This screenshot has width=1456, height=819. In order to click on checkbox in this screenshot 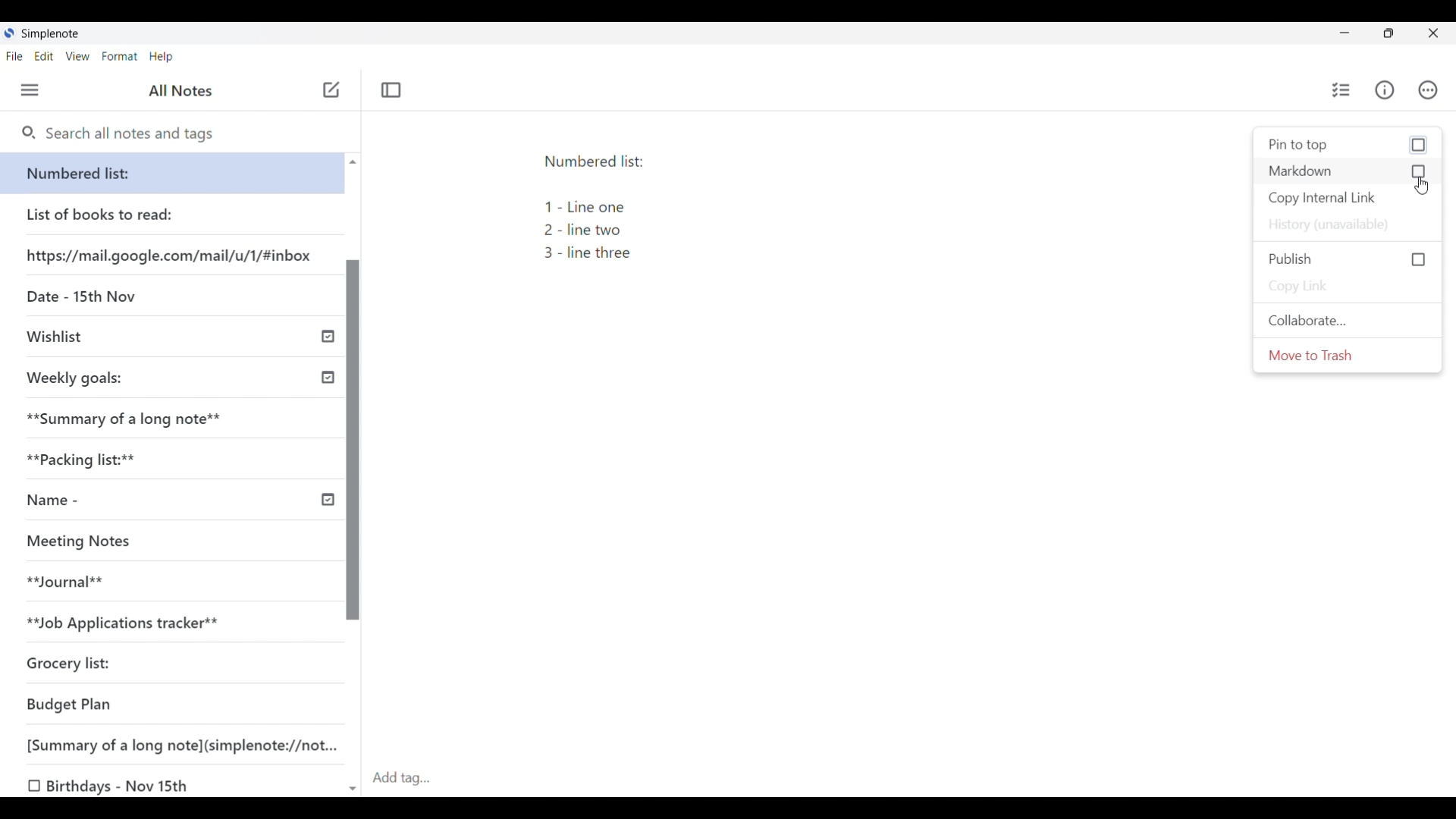, I will do `click(1418, 260)`.